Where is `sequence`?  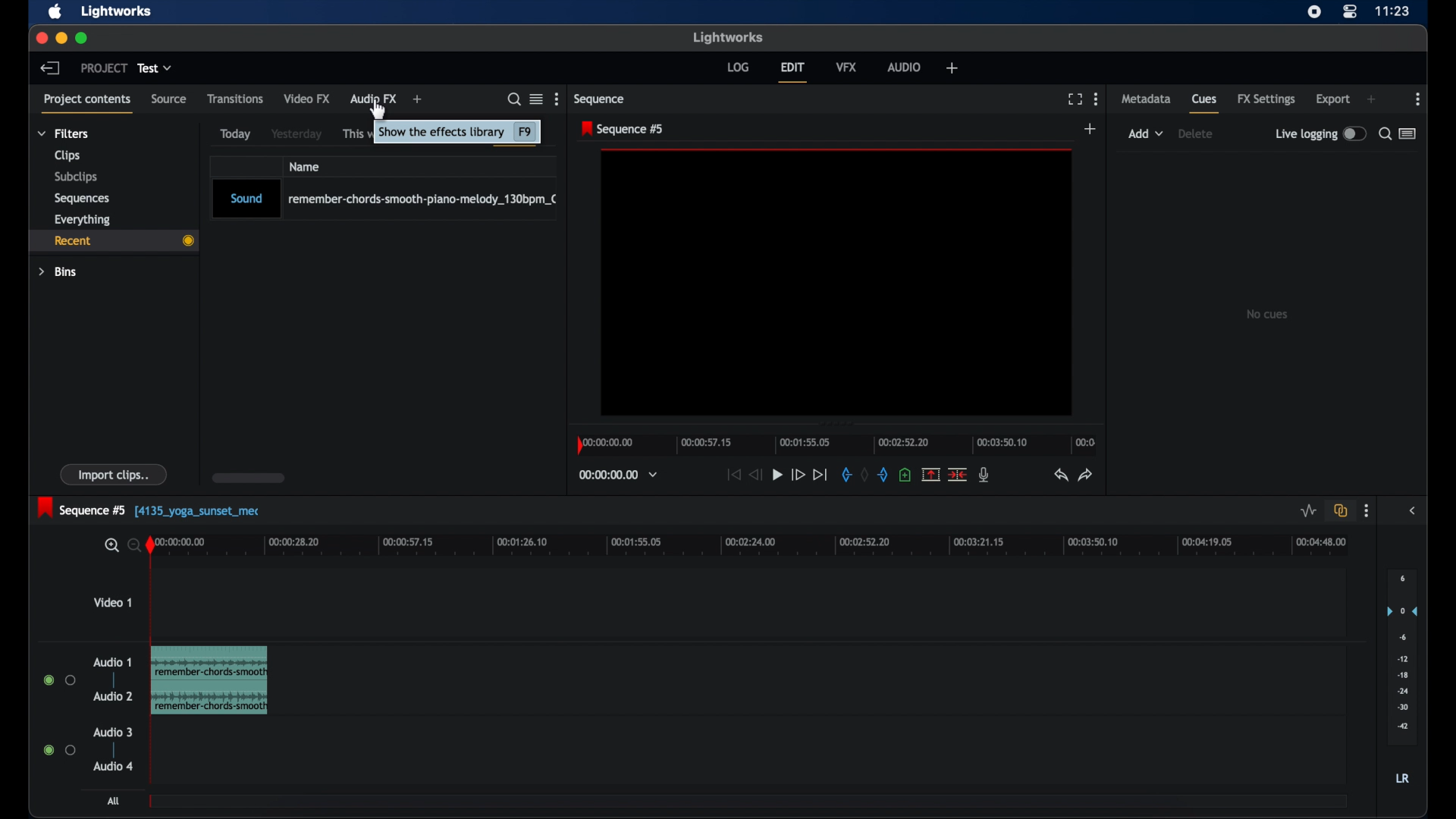 sequence is located at coordinates (622, 129).